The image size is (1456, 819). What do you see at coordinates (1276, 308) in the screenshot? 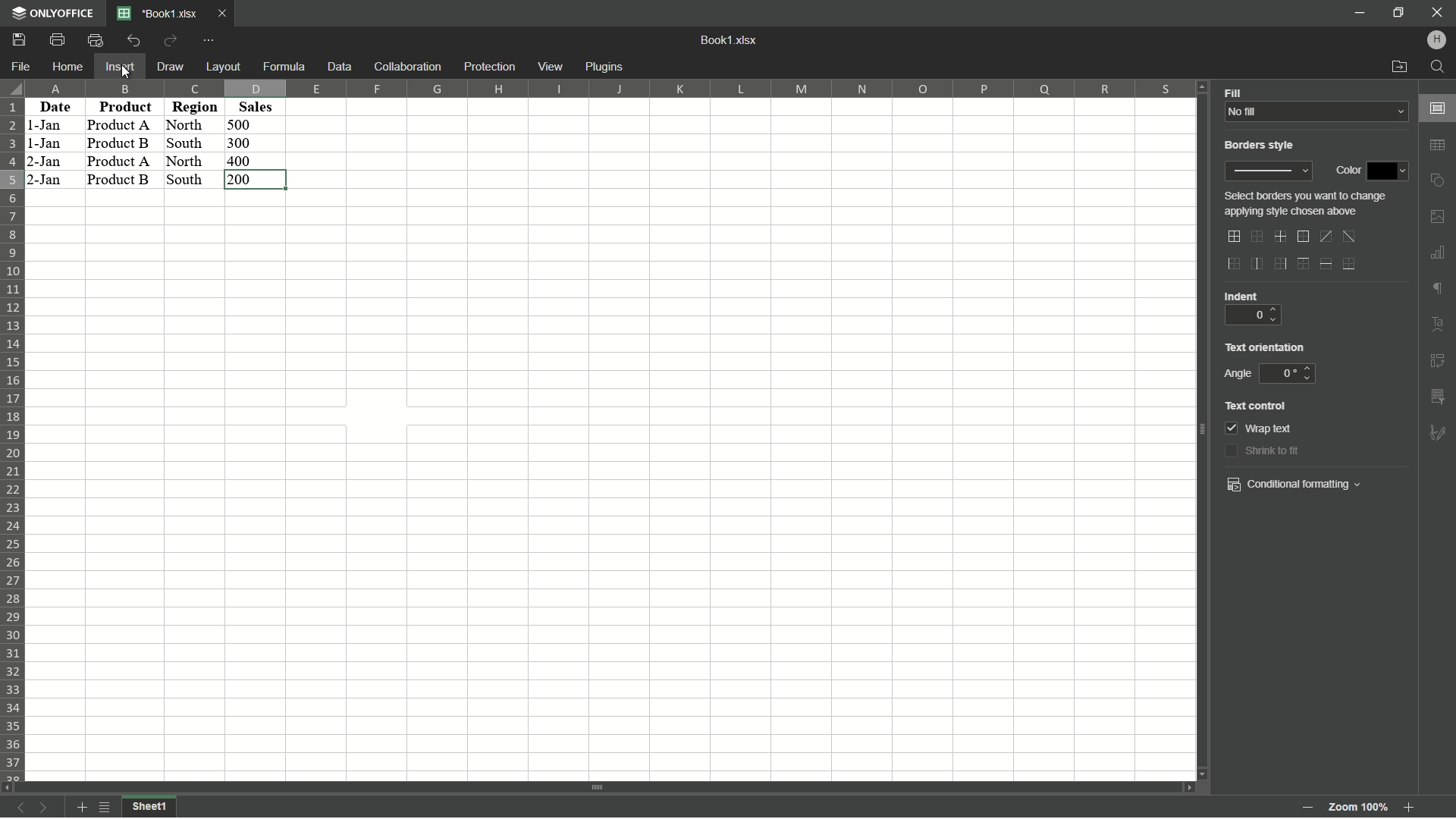
I see `up` at bounding box center [1276, 308].